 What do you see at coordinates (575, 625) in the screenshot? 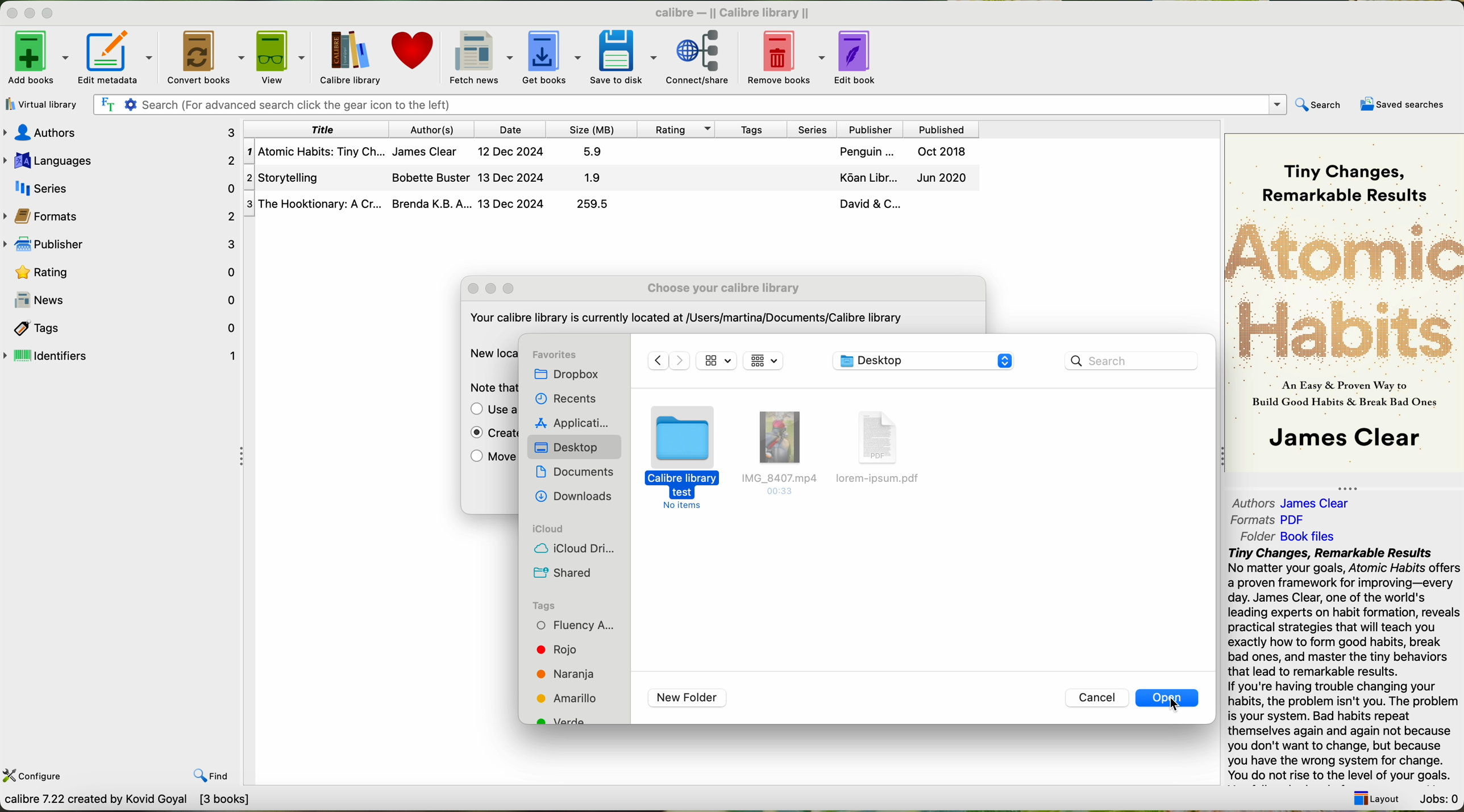
I see `fluency tag` at bounding box center [575, 625].